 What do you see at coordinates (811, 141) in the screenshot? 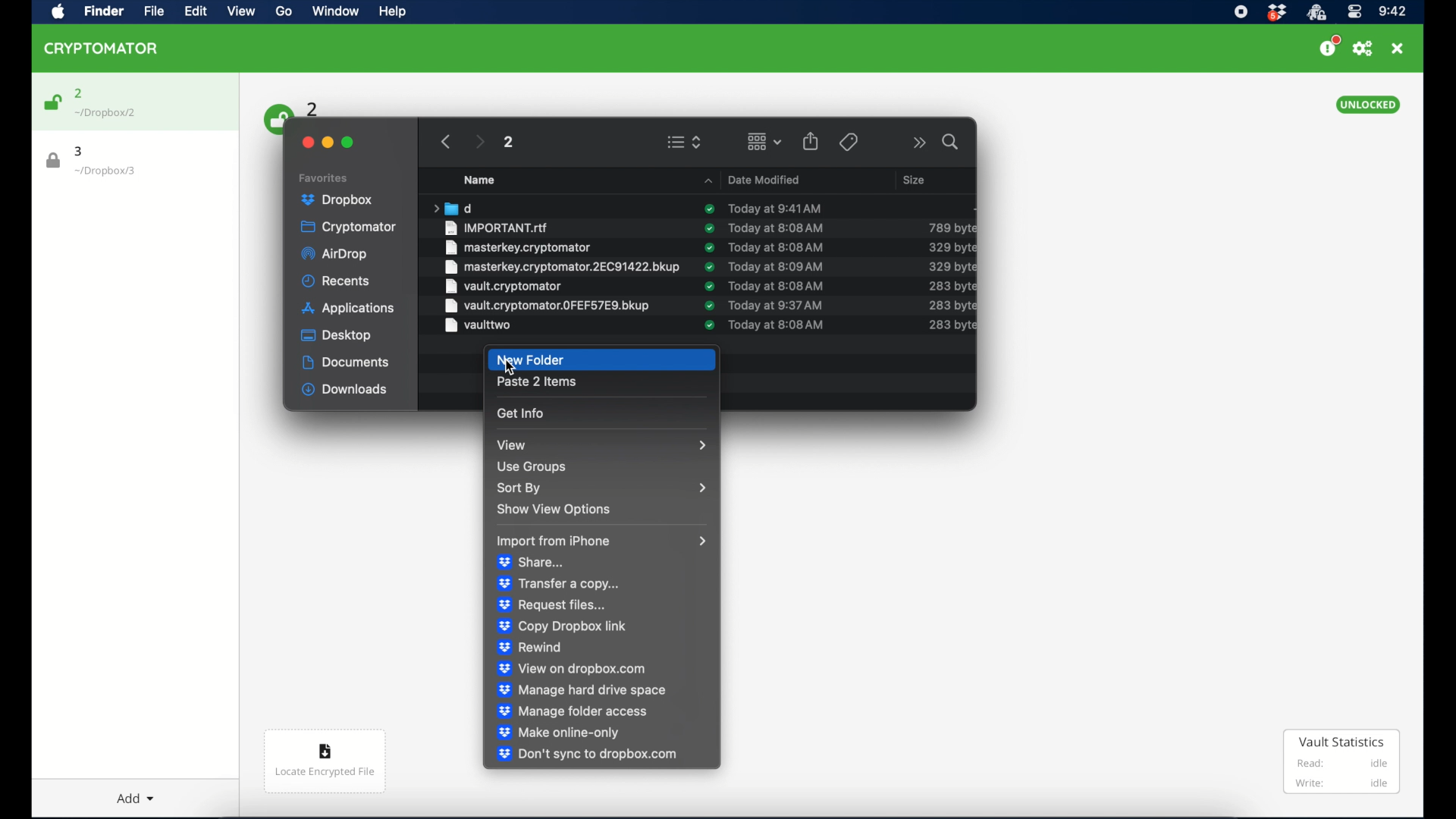
I see `share` at bounding box center [811, 141].